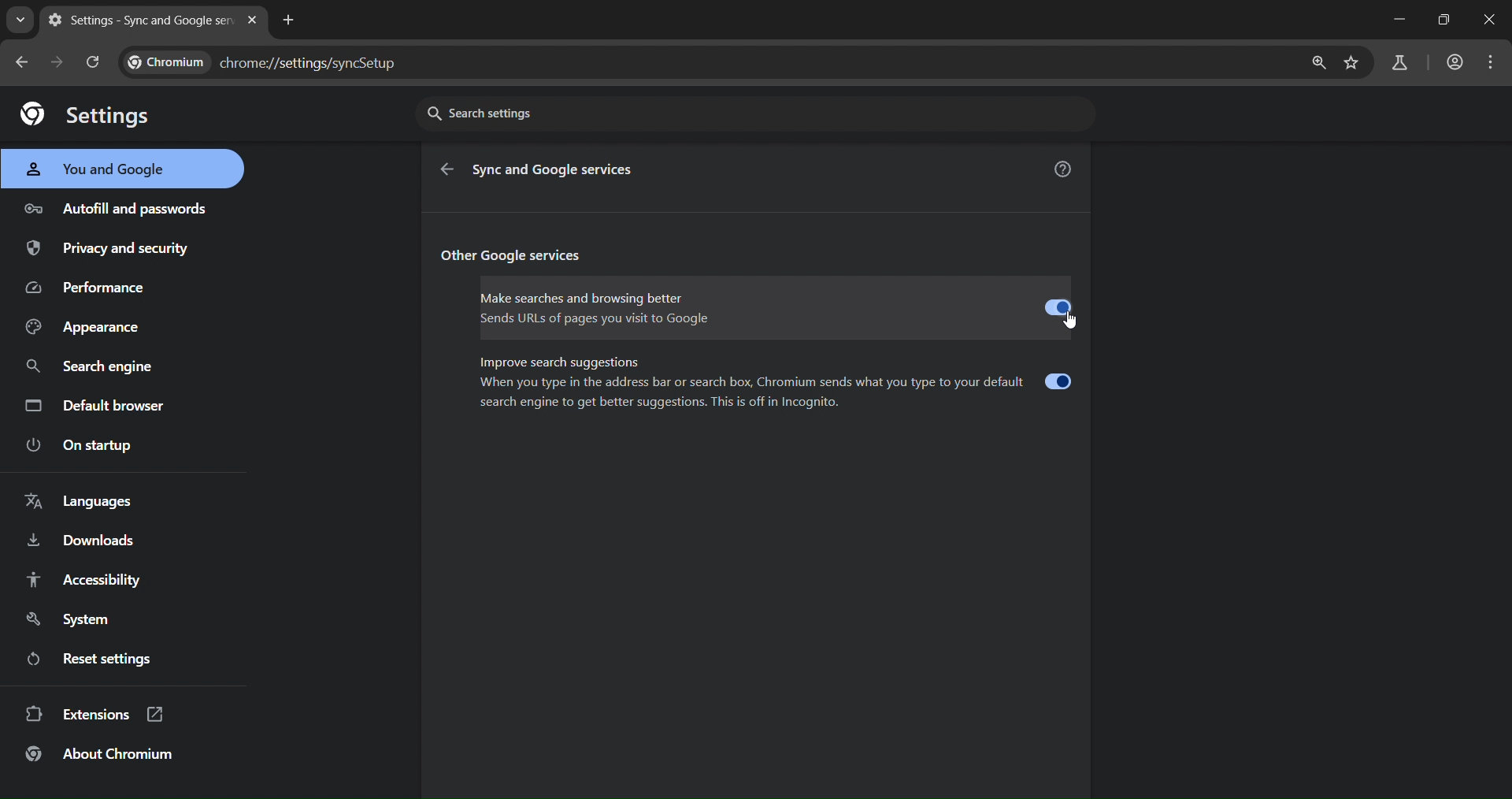  Describe the element at coordinates (93, 500) in the screenshot. I see `languages` at that location.